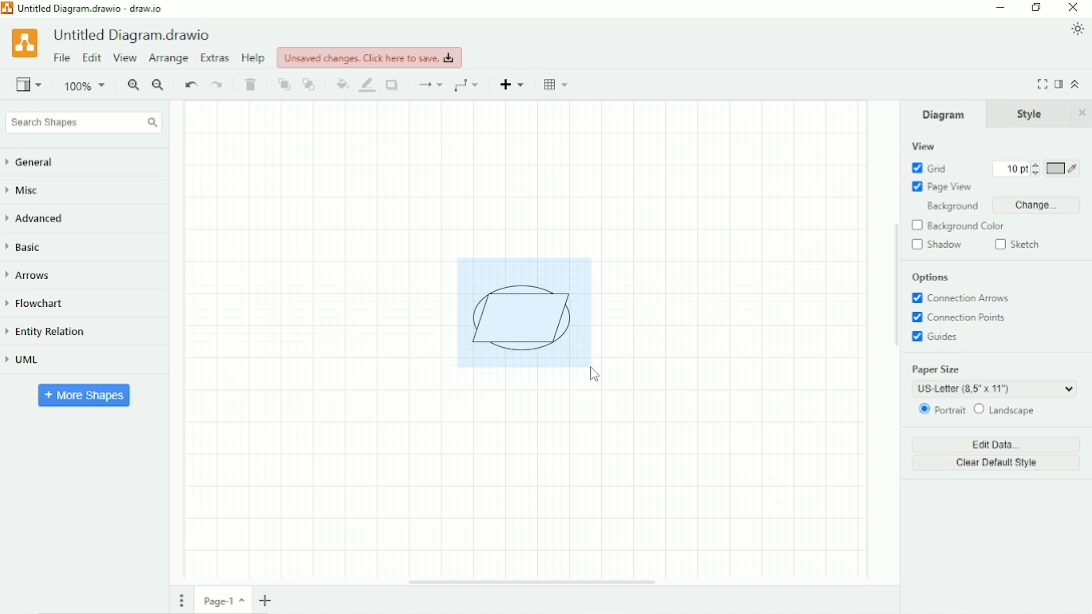  I want to click on Table, so click(558, 84).